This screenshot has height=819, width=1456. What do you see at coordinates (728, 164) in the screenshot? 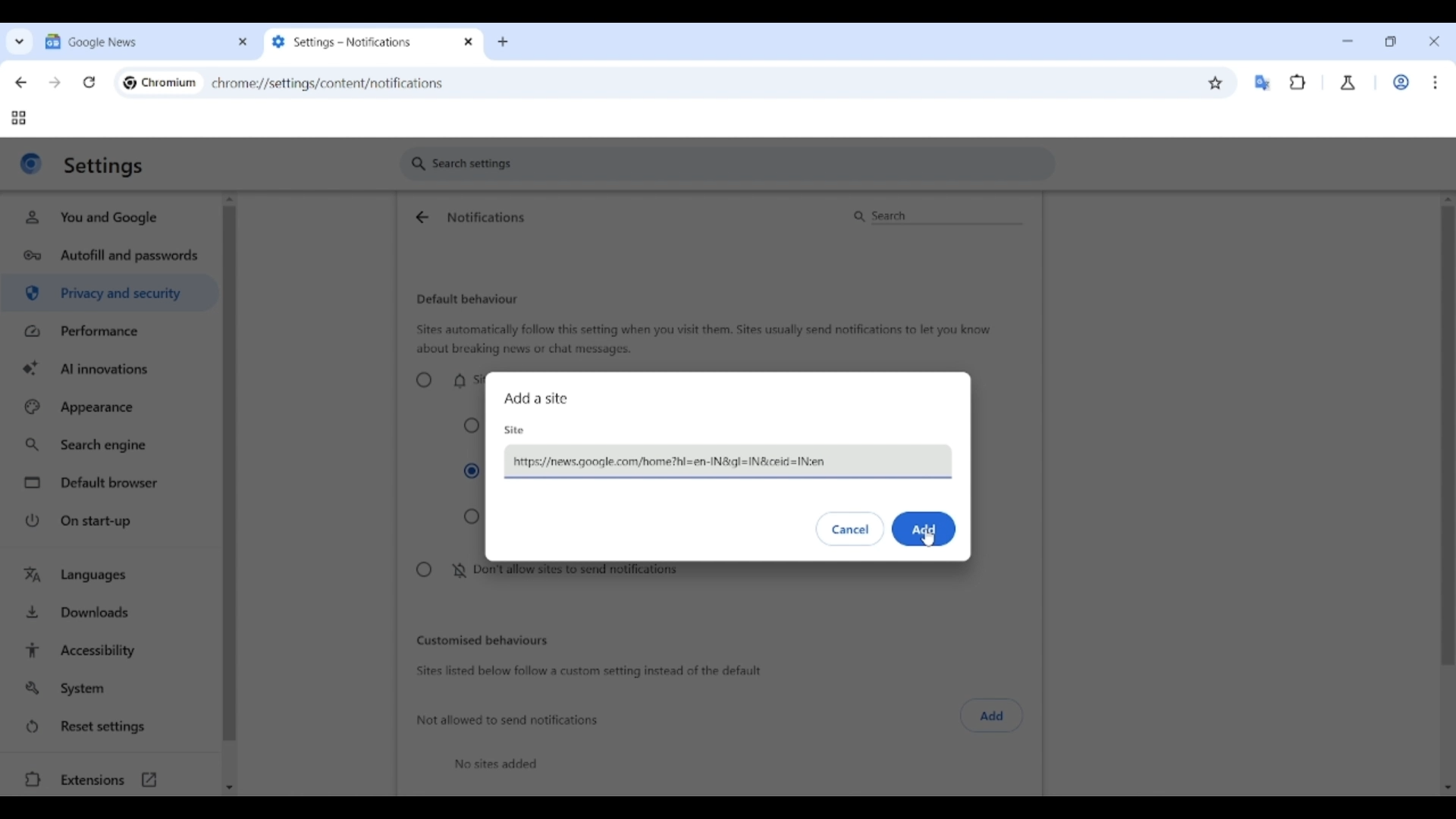
I see `Search settings` at bounding box center [728, 164].